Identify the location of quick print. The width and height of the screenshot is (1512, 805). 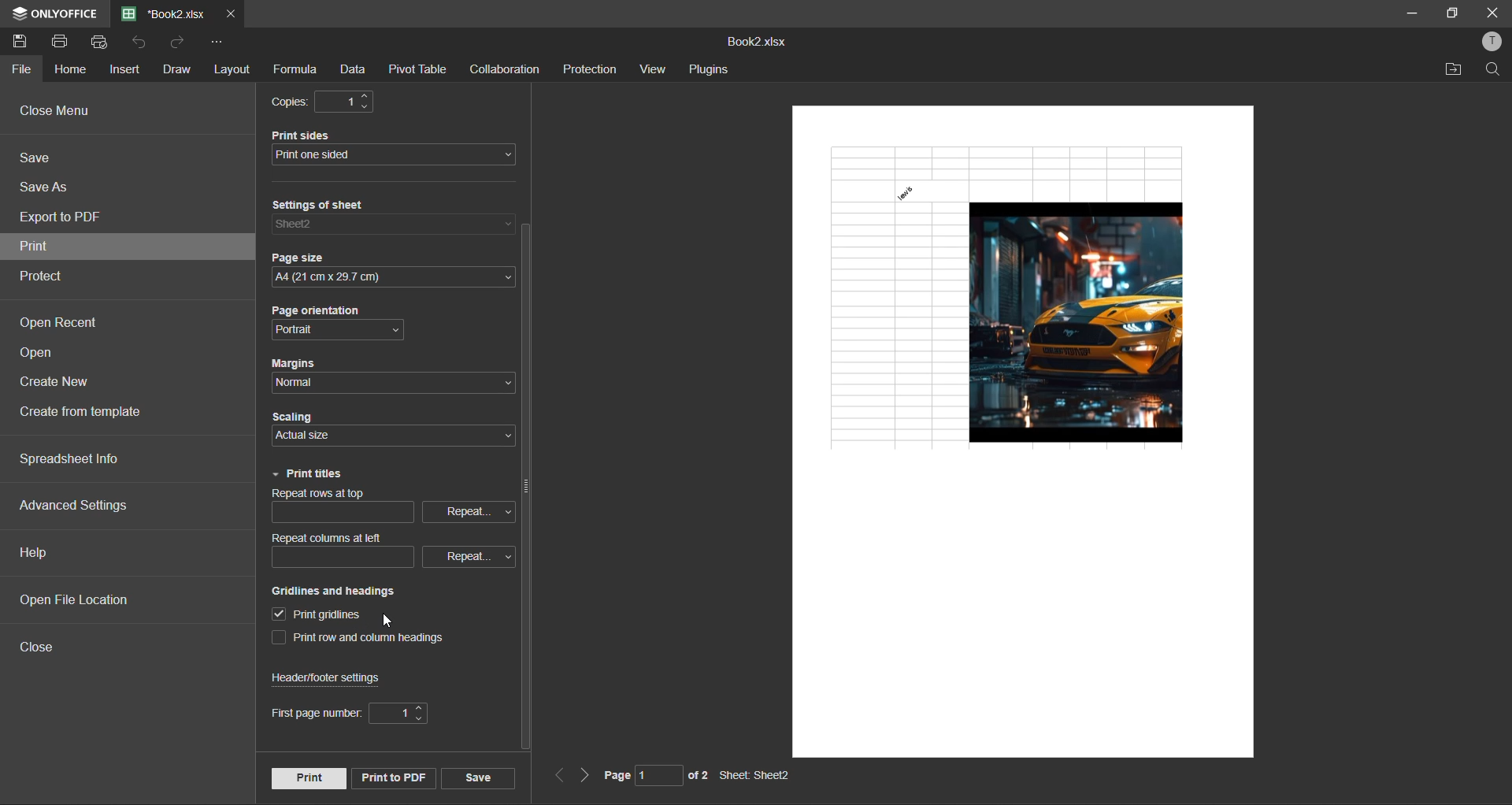
(100, 41).